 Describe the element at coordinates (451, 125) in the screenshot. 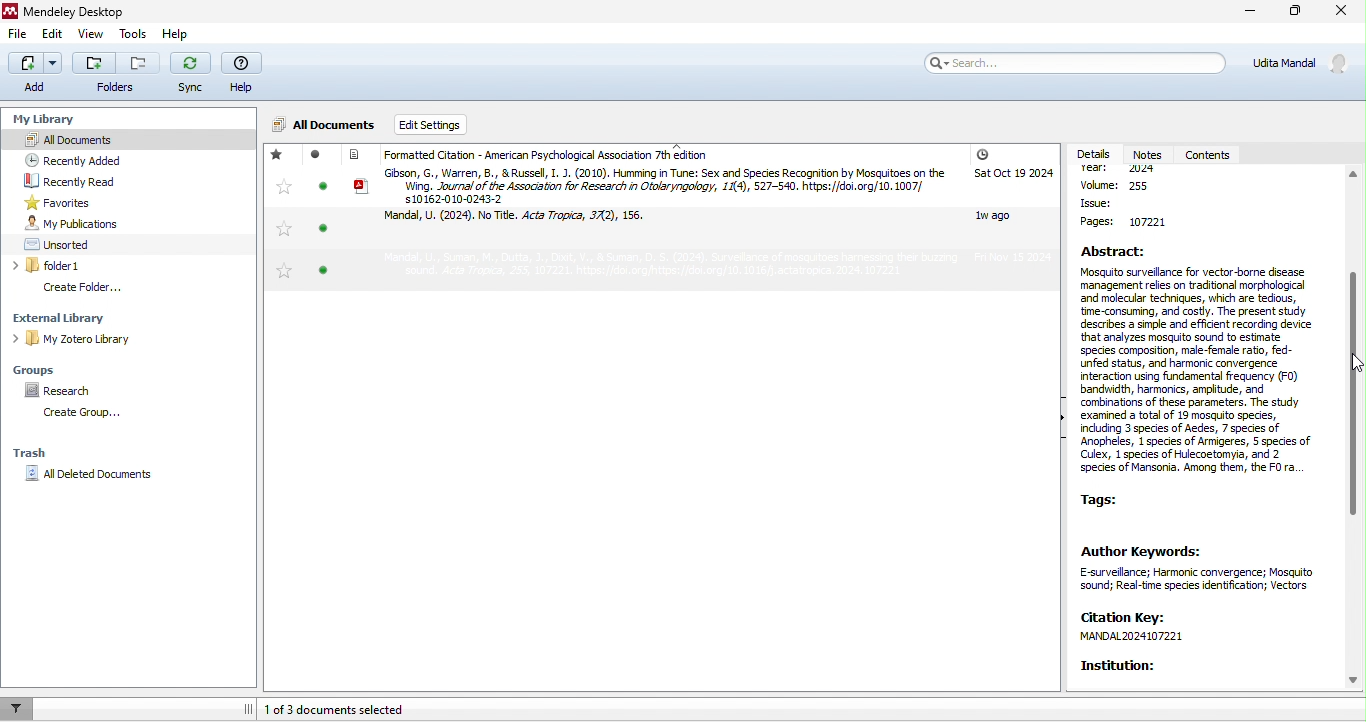

I see `edit settings` at that location.